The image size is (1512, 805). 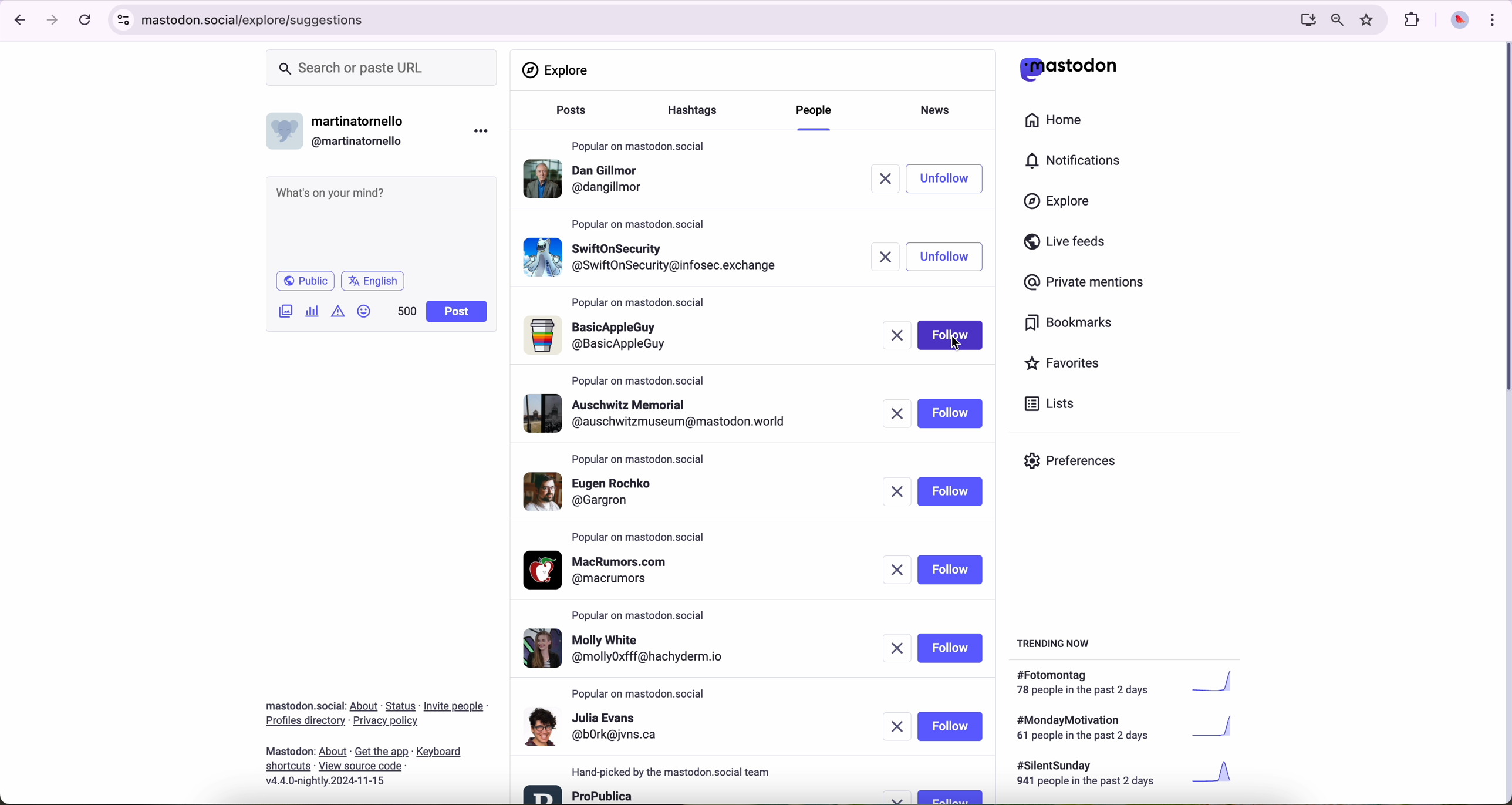 What do you see at coordinates (951, 338) in the screenshot?
I see `click on follow` at bounding box center [951, 338].